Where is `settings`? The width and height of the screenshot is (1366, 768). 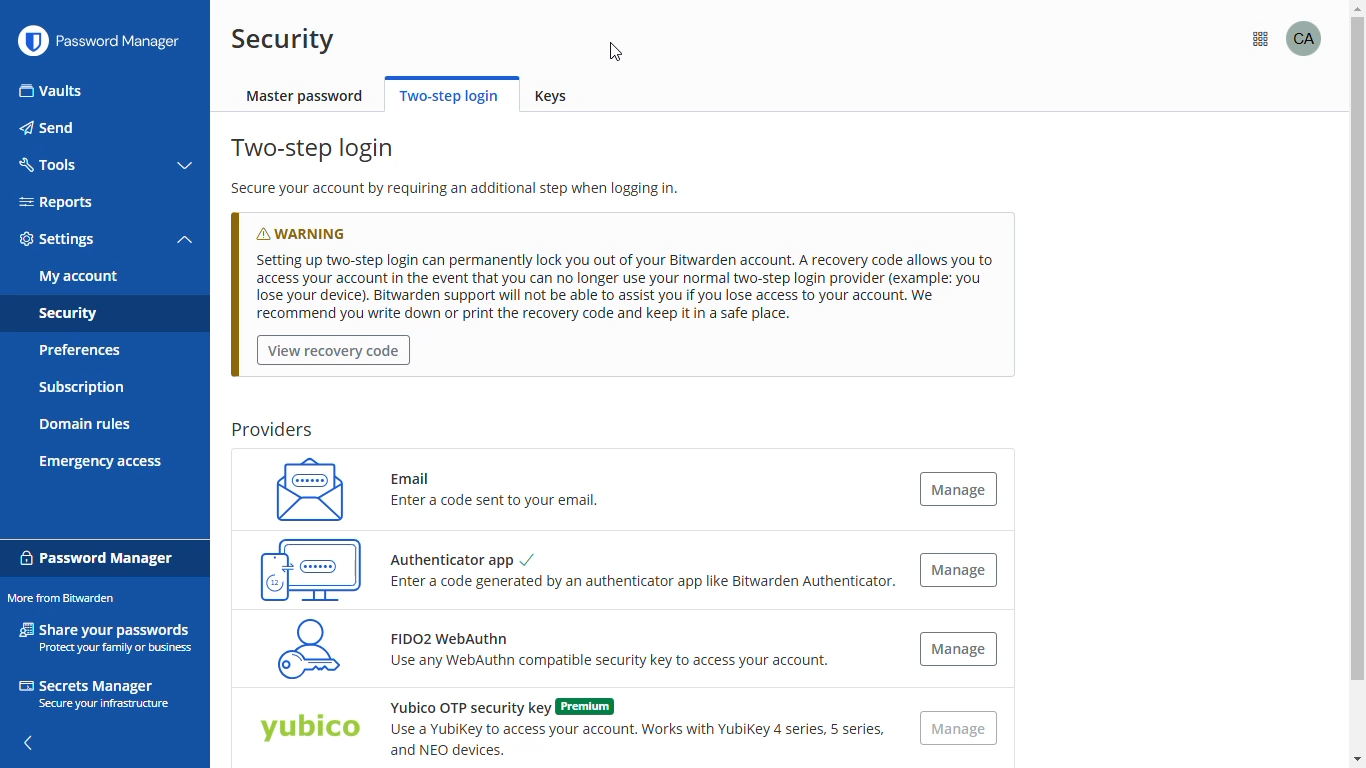 settings is located at coordinates (58, 240).